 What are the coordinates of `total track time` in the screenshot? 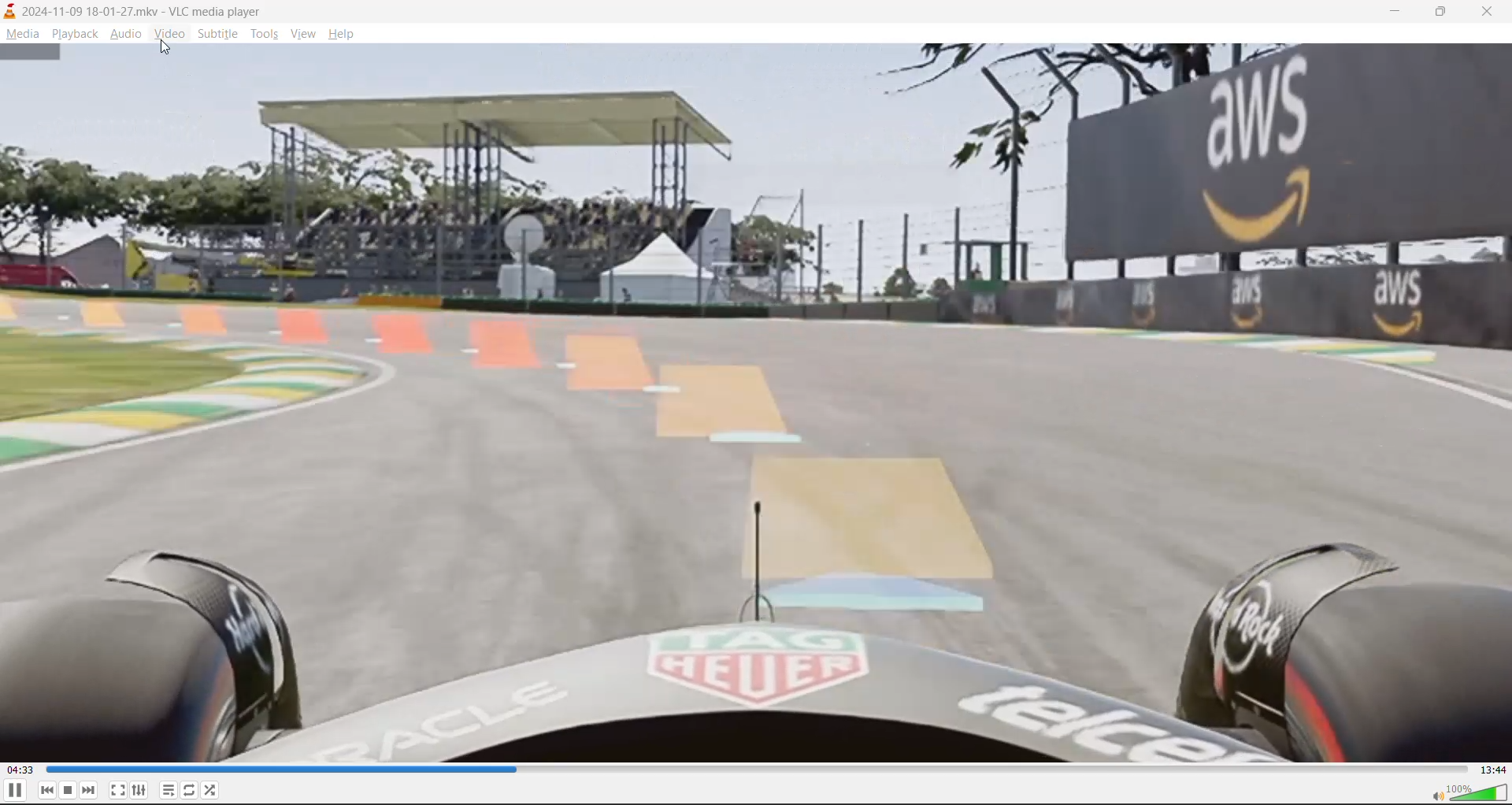 It's located at (1494, 770).